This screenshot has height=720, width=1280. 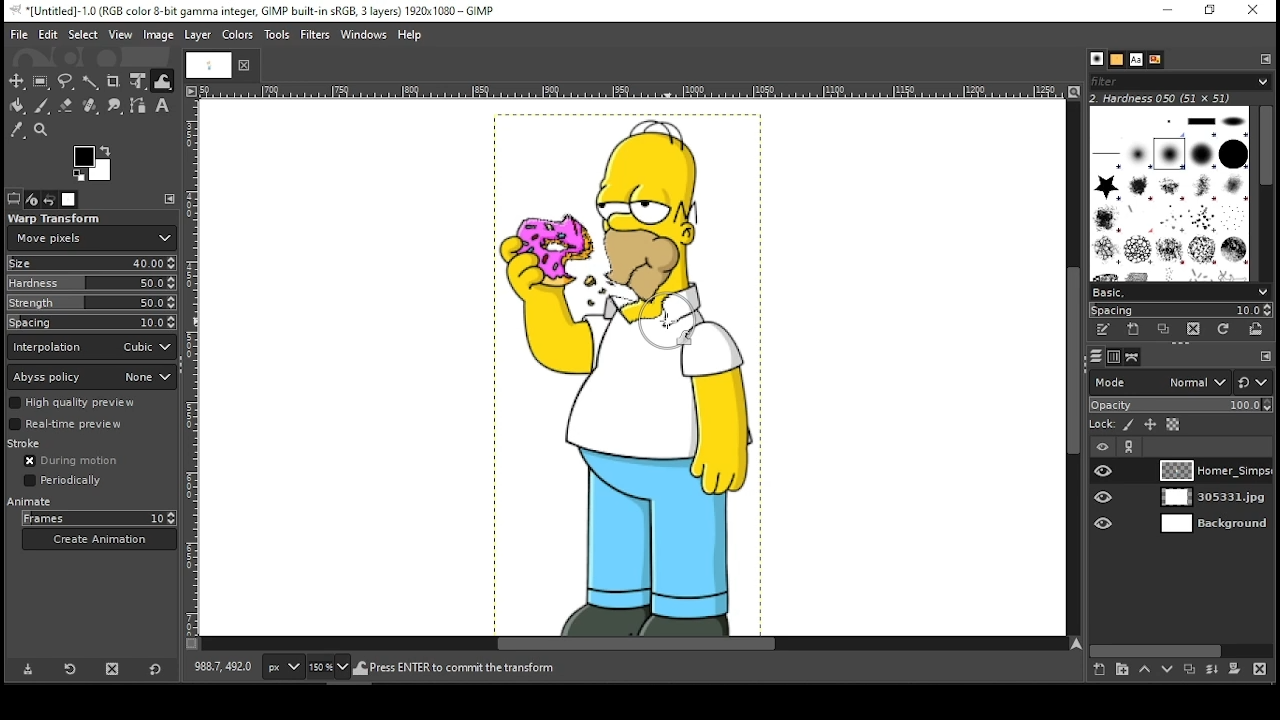 What do you see at coordinates (284, 667) in the screenshot?
I see `units` at bounding box center [284, 667].